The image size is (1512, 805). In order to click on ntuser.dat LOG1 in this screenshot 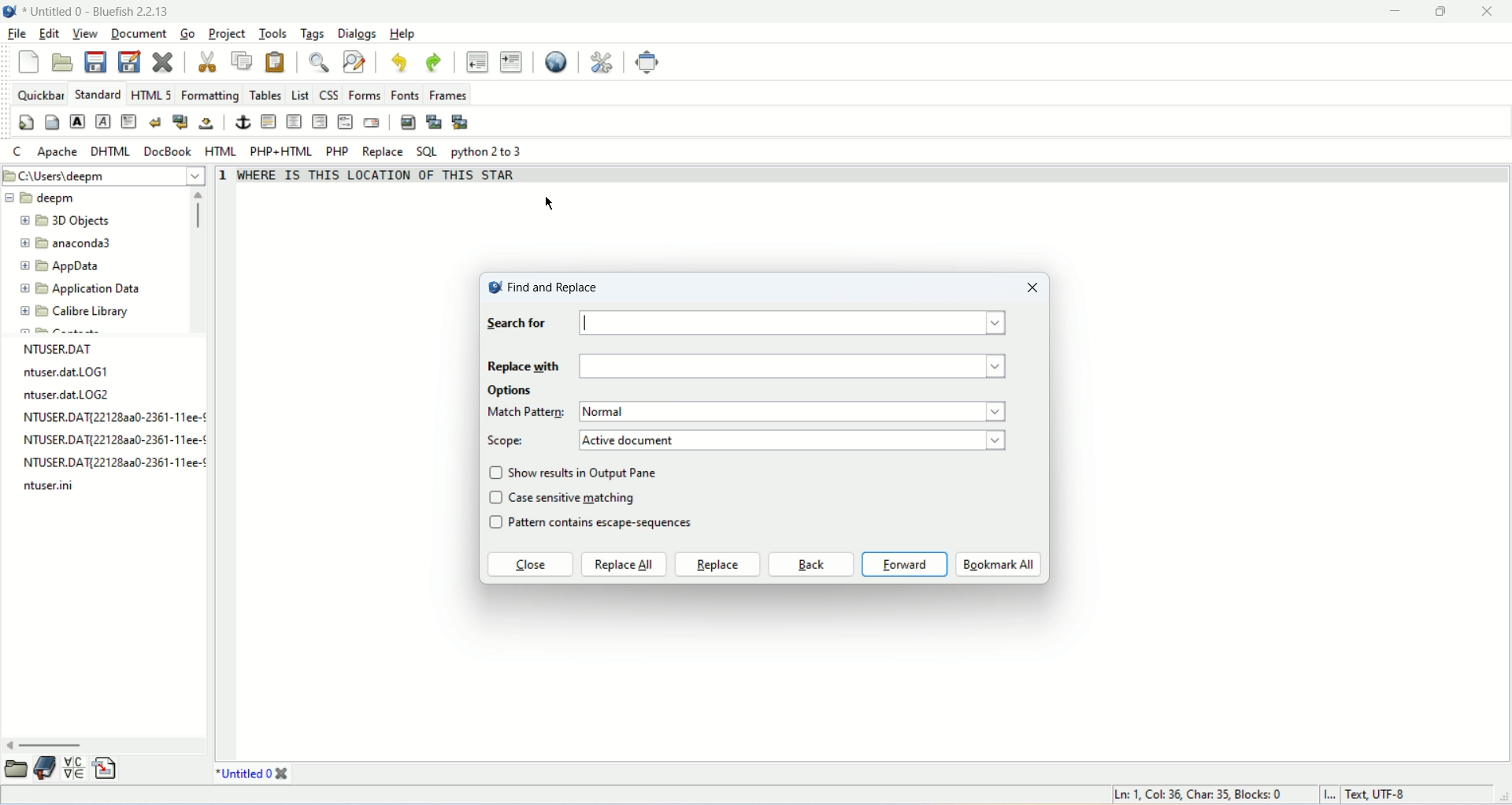, I will do `click(64, 373)`.